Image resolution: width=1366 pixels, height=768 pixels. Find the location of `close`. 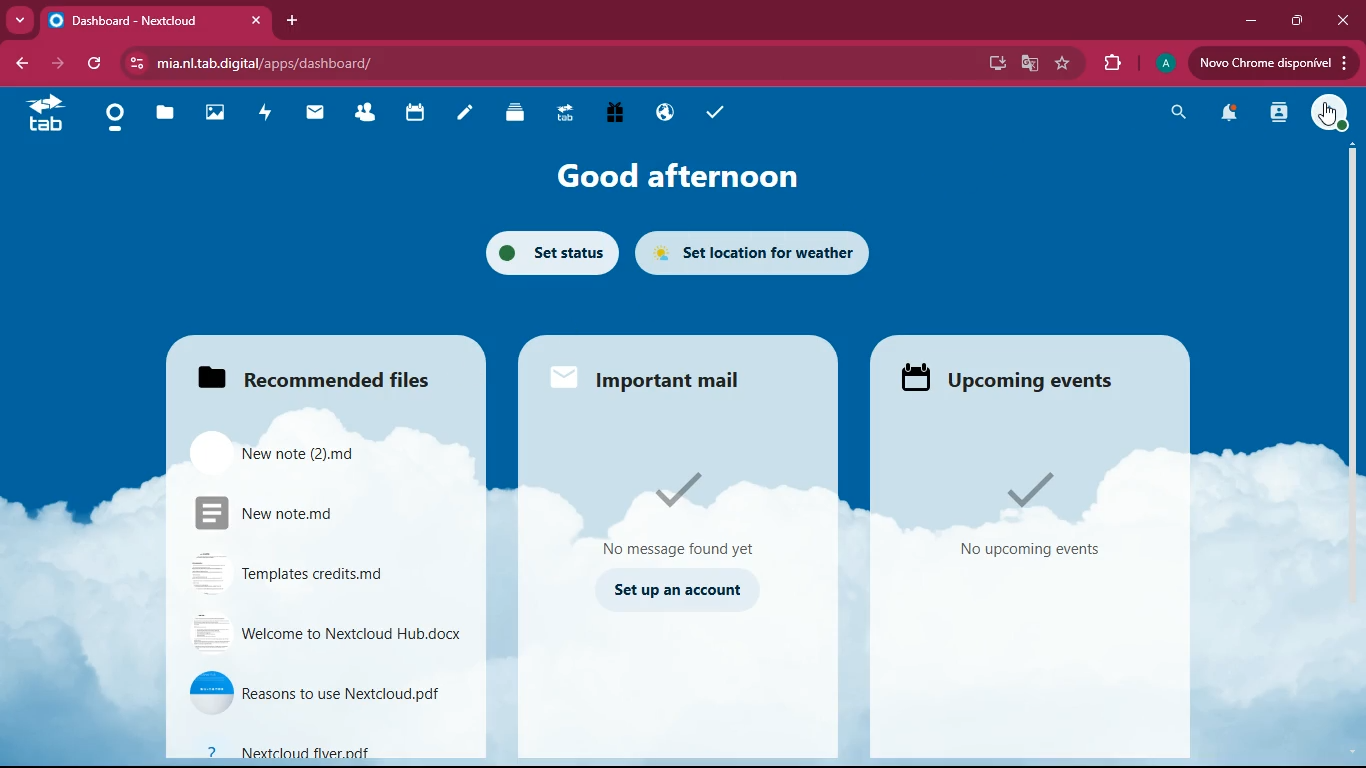

close is located at coordinates (1342, 19).